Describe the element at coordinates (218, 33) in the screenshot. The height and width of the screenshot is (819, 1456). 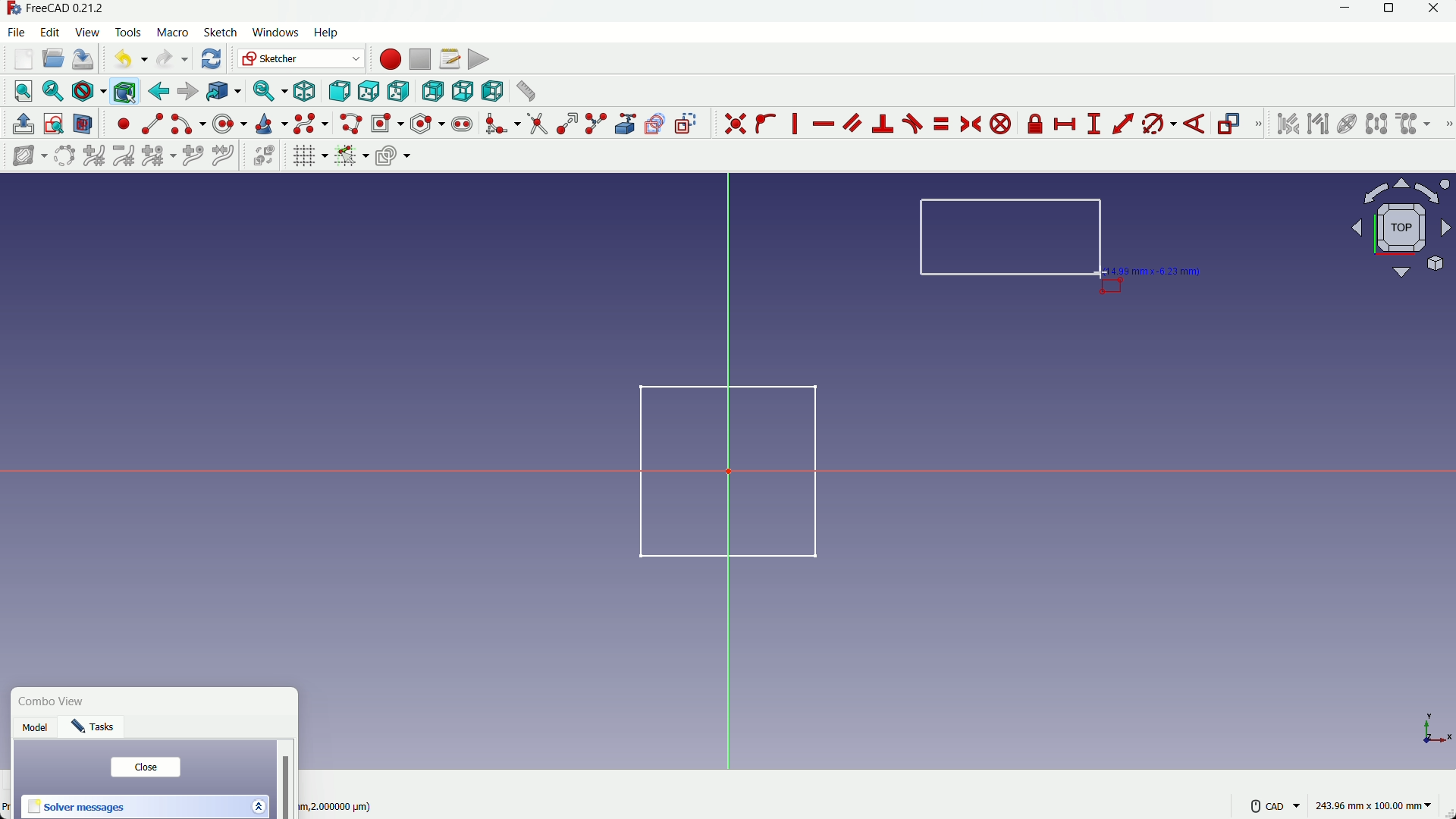
I see `sketch menu` at that location.